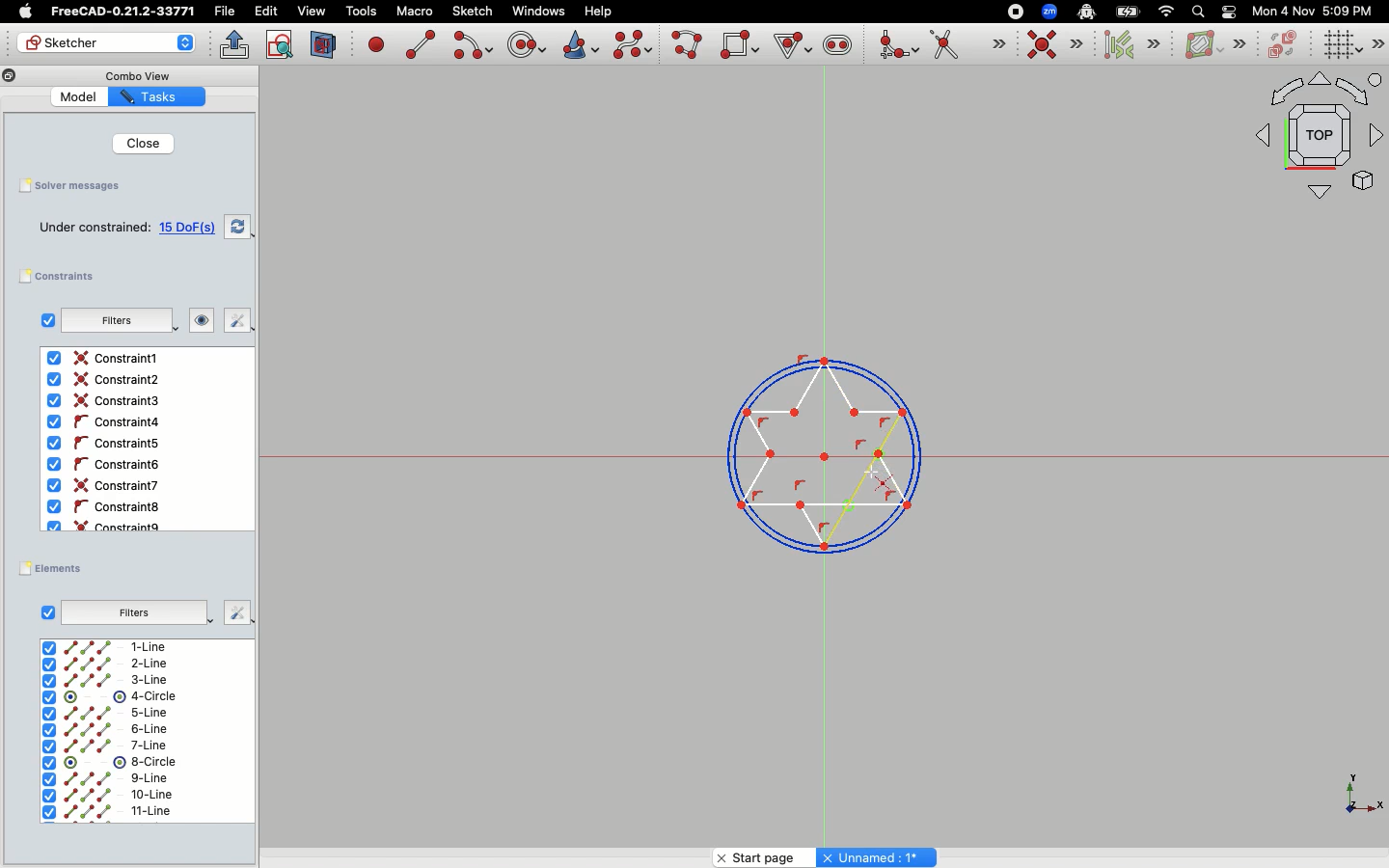 Image resolution: width=1389 pixels, height=868 pixels. I want to click on Constraint8, so click(106, 507).